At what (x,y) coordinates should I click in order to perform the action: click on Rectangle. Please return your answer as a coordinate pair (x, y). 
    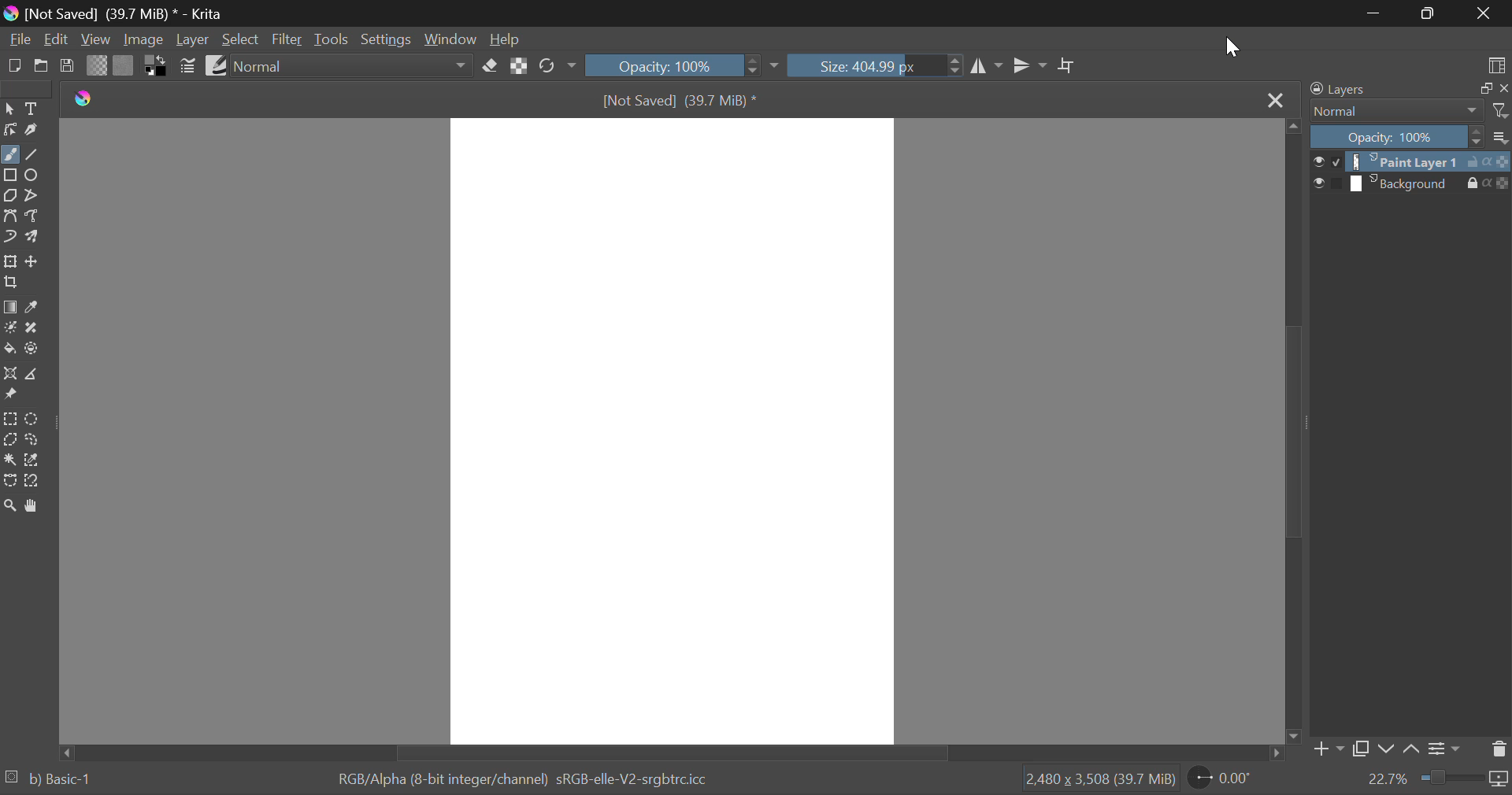
    Looking at the image, I should click on (11, 176).